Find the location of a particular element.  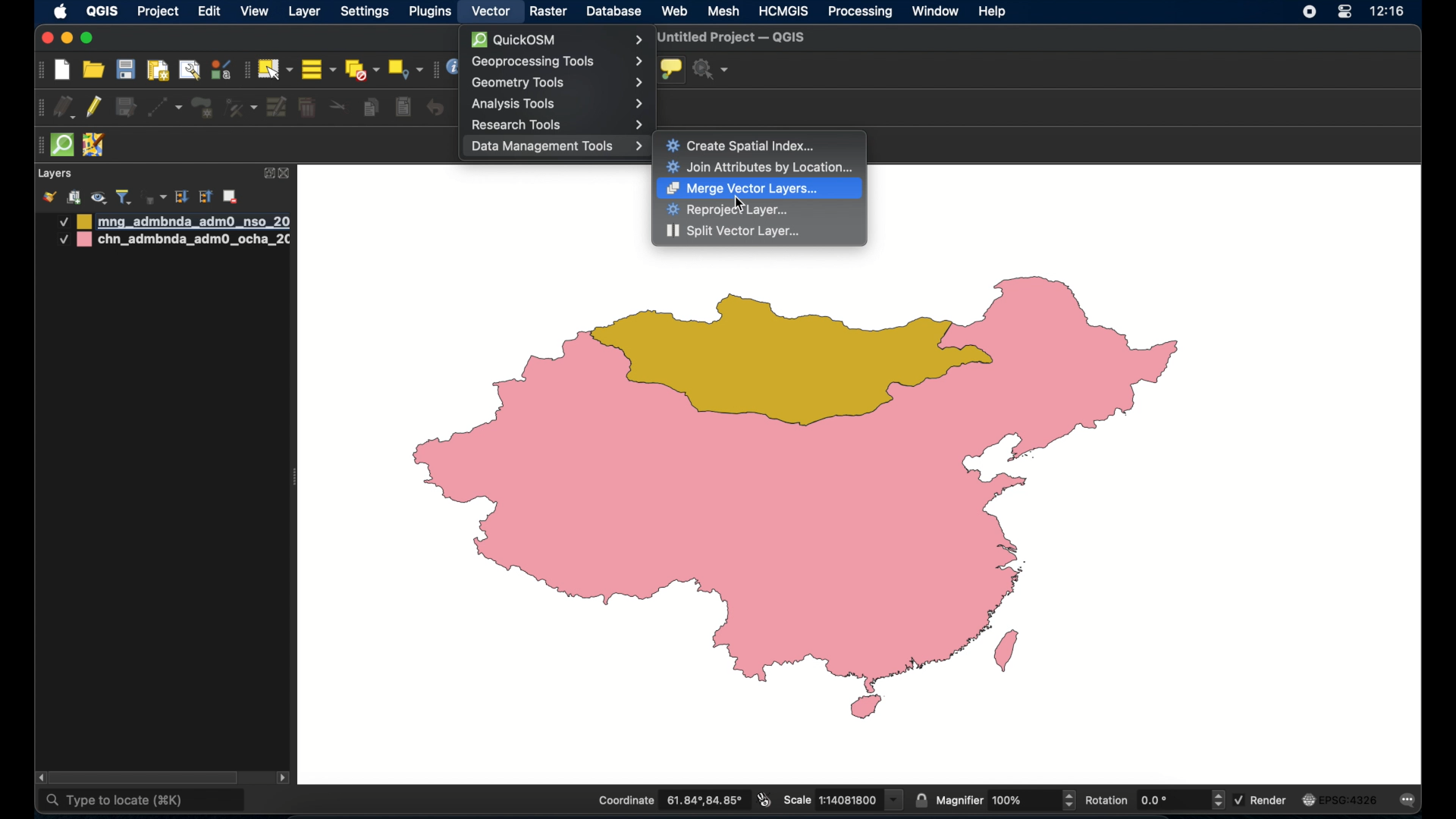

time is located at coordinates (1388, 13).